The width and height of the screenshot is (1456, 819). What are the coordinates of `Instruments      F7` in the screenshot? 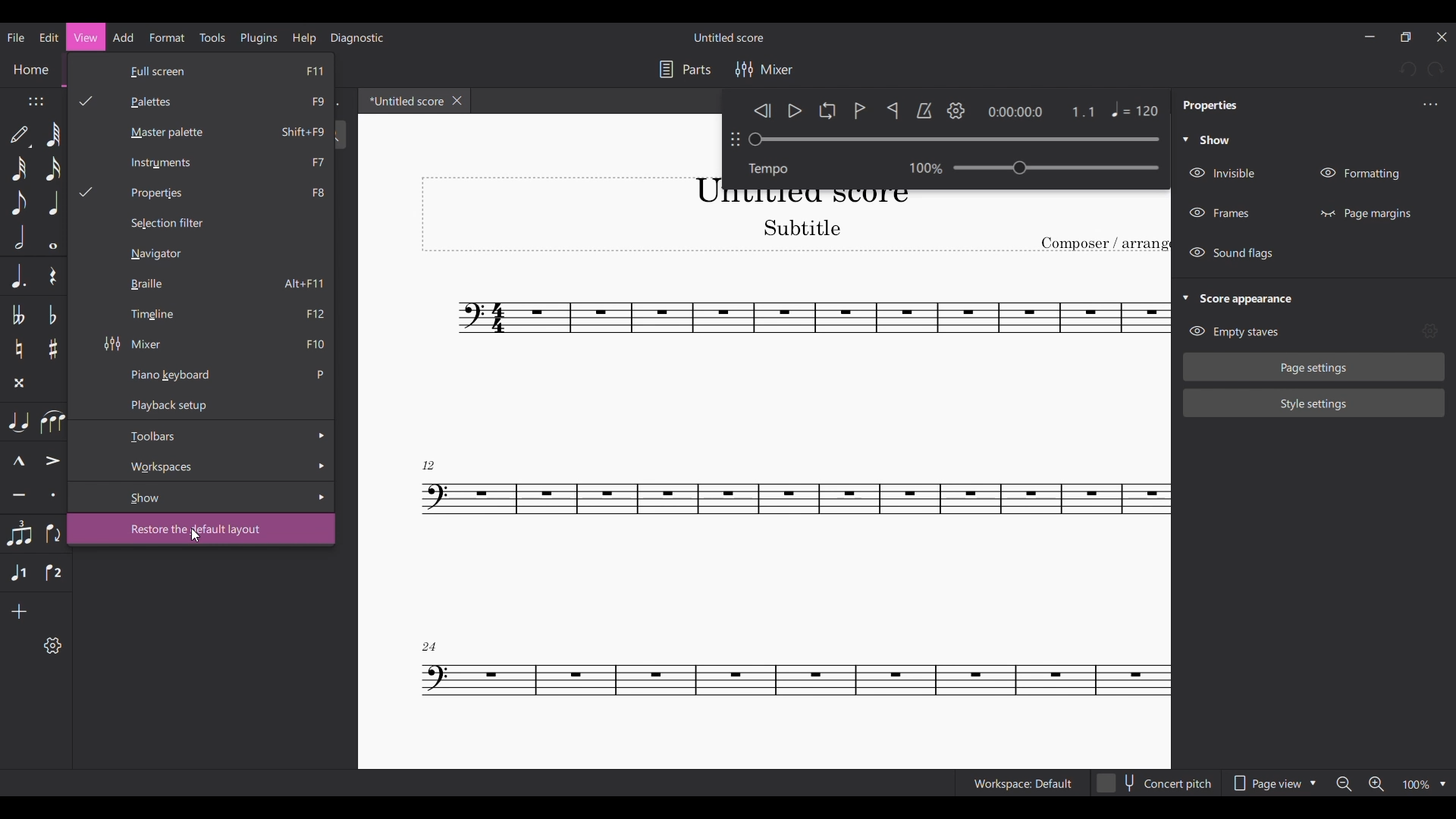 It's located at (218, 163).